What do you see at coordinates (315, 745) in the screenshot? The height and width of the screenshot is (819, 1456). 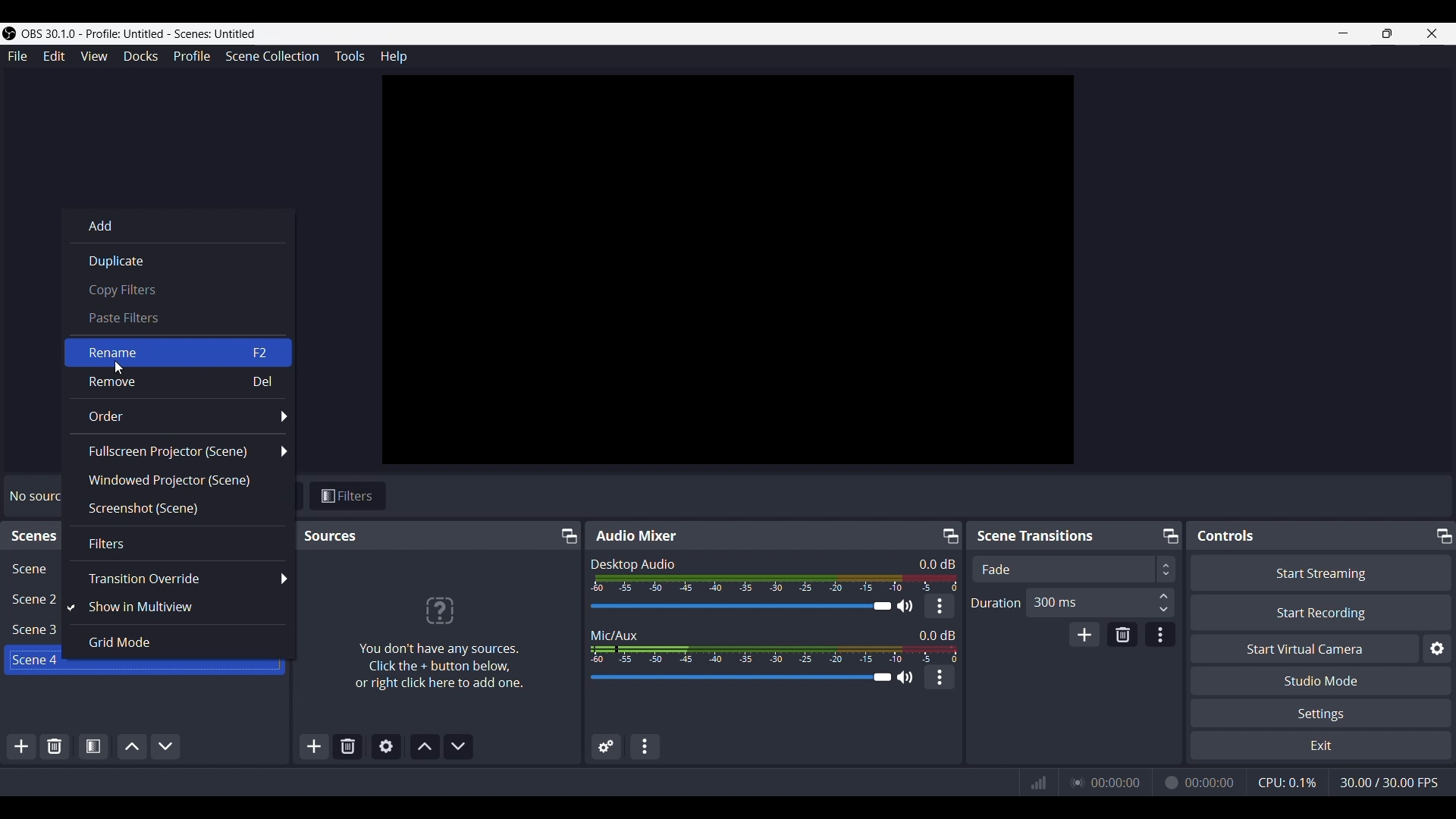 I see `Add source` at bounding box center [315, 745].